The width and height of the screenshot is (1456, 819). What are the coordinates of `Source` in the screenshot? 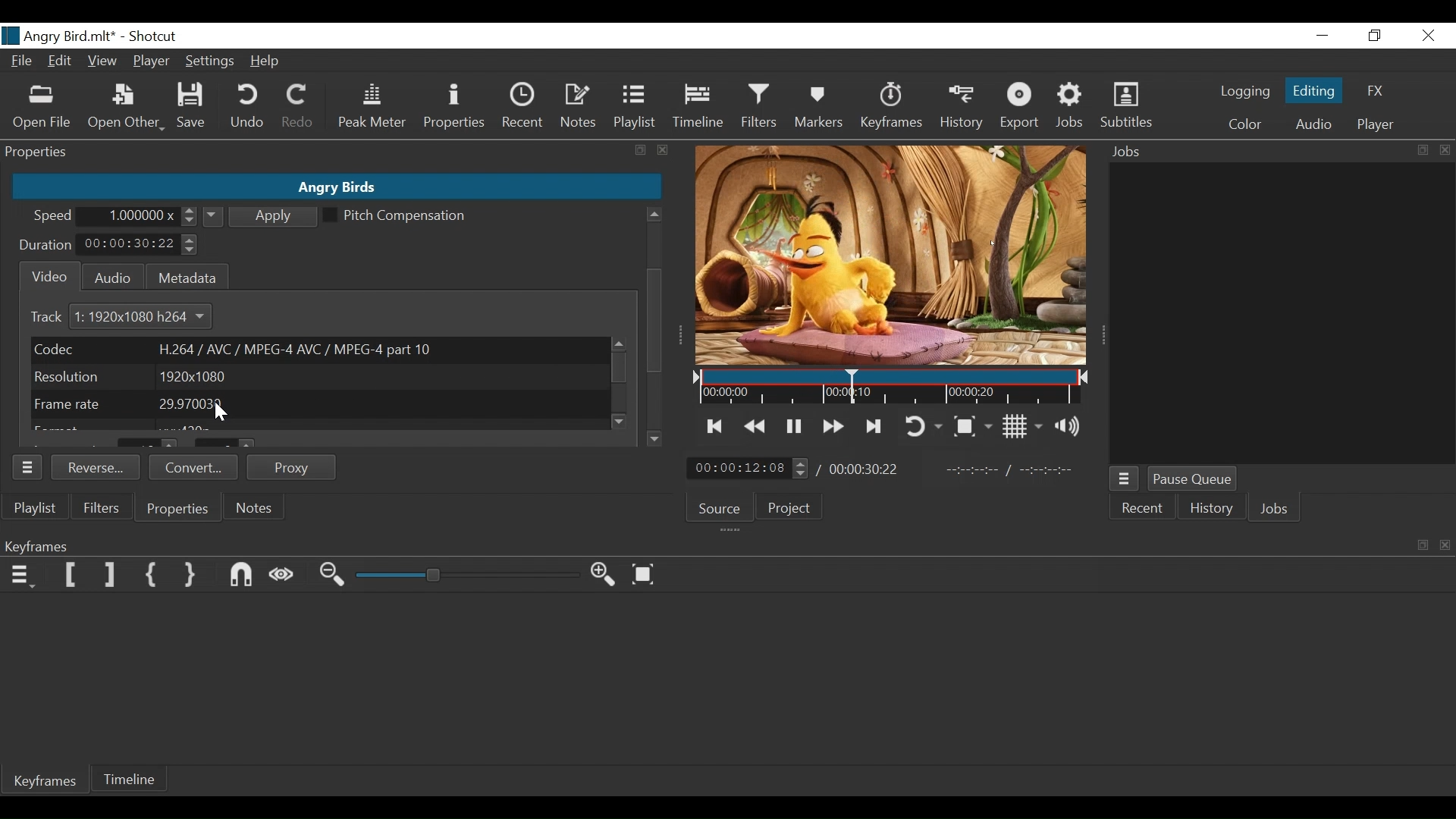 It's located at (720, 507).